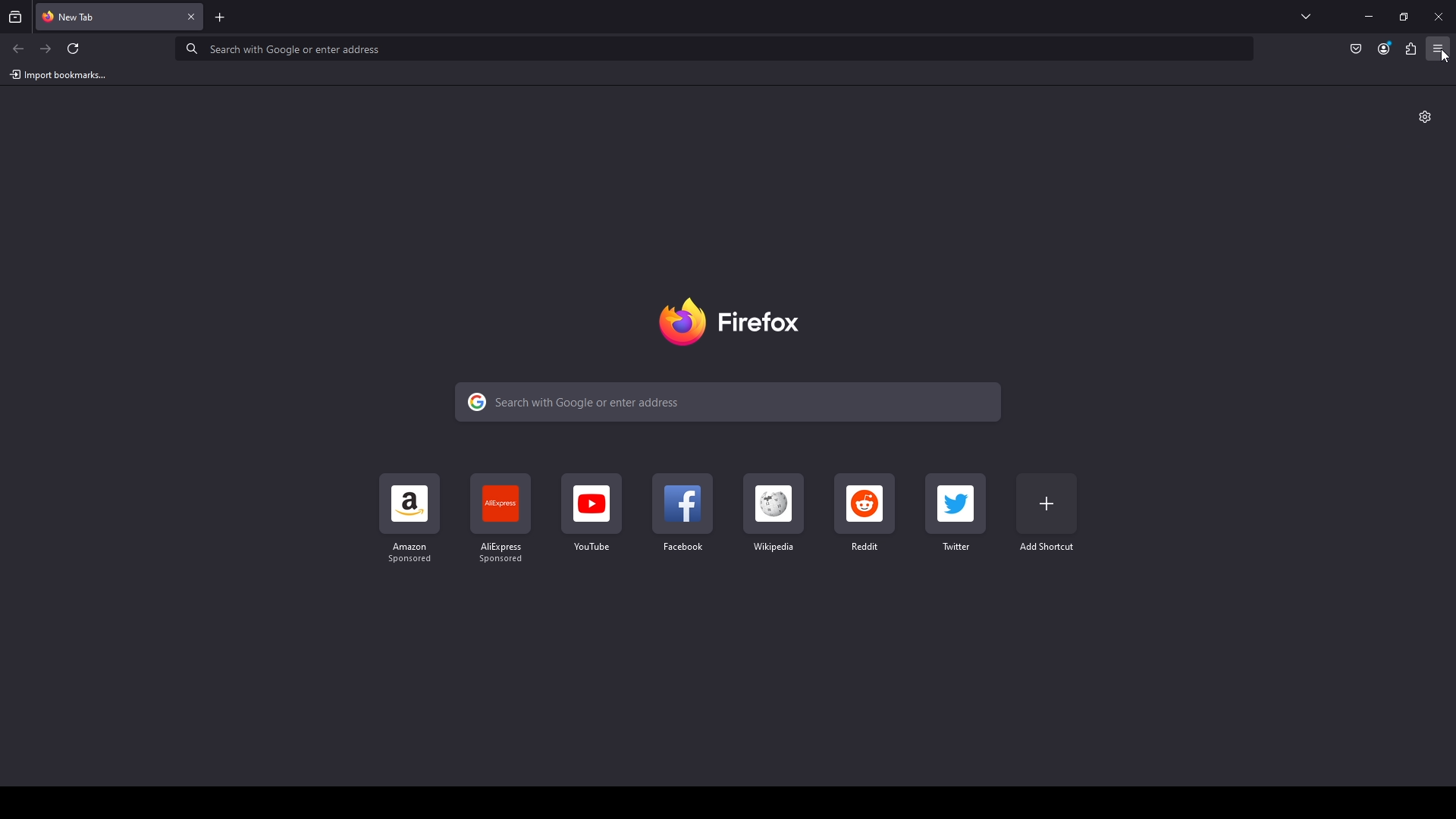 This screenshot has width=1456, height=819. What do you see at coordinates (591, 514) in the screenshot?
I see `Youtube` at bounding box center [591, 514].